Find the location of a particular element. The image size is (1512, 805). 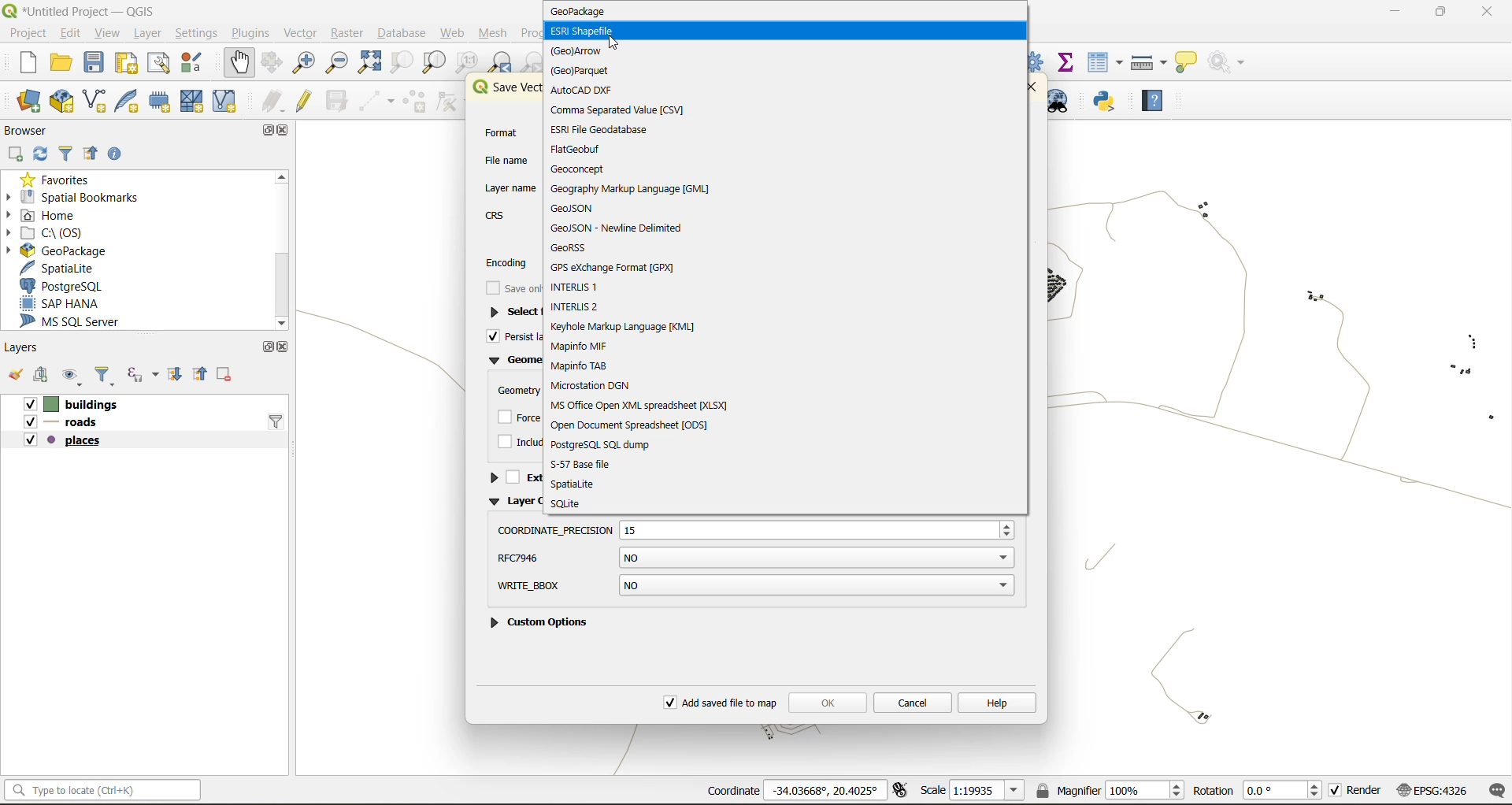

csv is located at coordinates (615, 111).